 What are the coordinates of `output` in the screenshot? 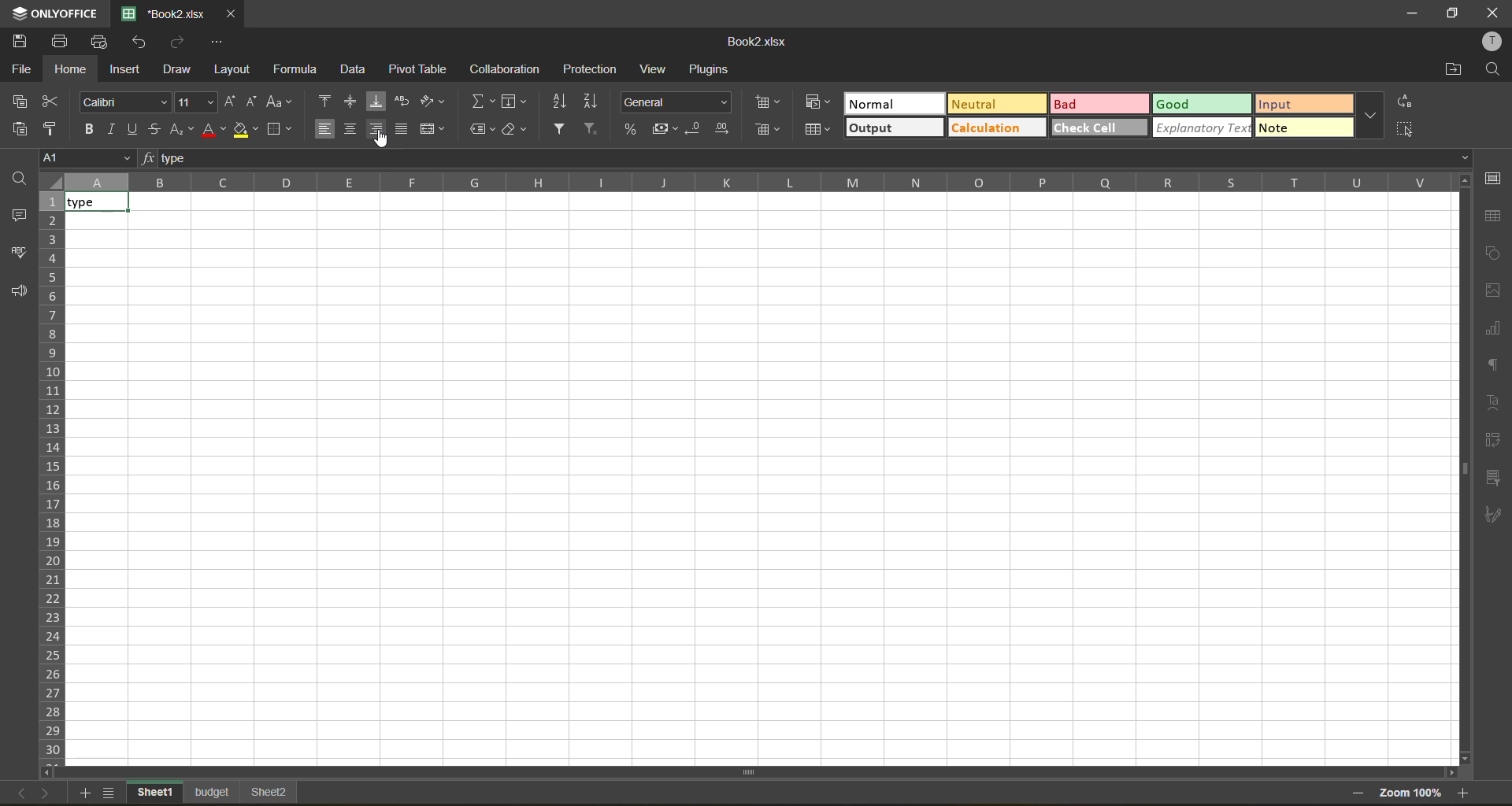 It's located at (892, 130).